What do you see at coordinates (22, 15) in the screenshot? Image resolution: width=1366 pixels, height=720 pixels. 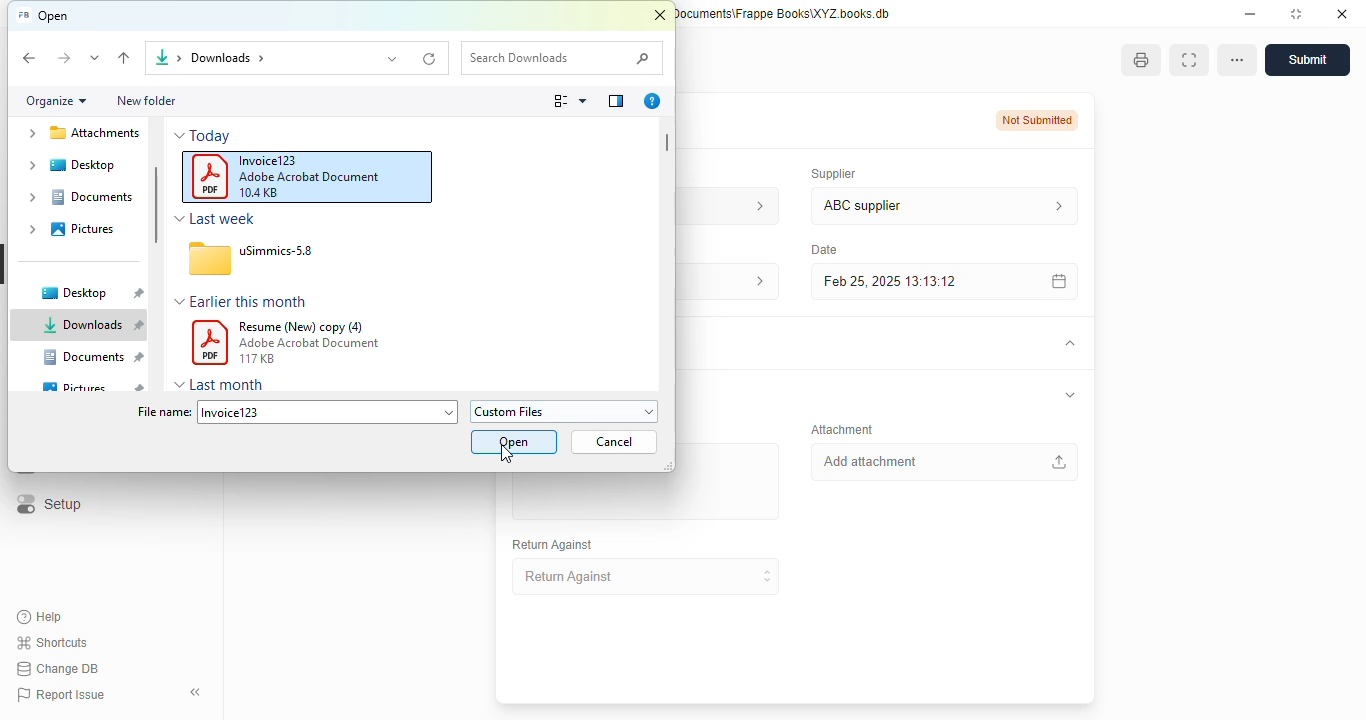 I see `FB logo` at bounding box center [22, 15].